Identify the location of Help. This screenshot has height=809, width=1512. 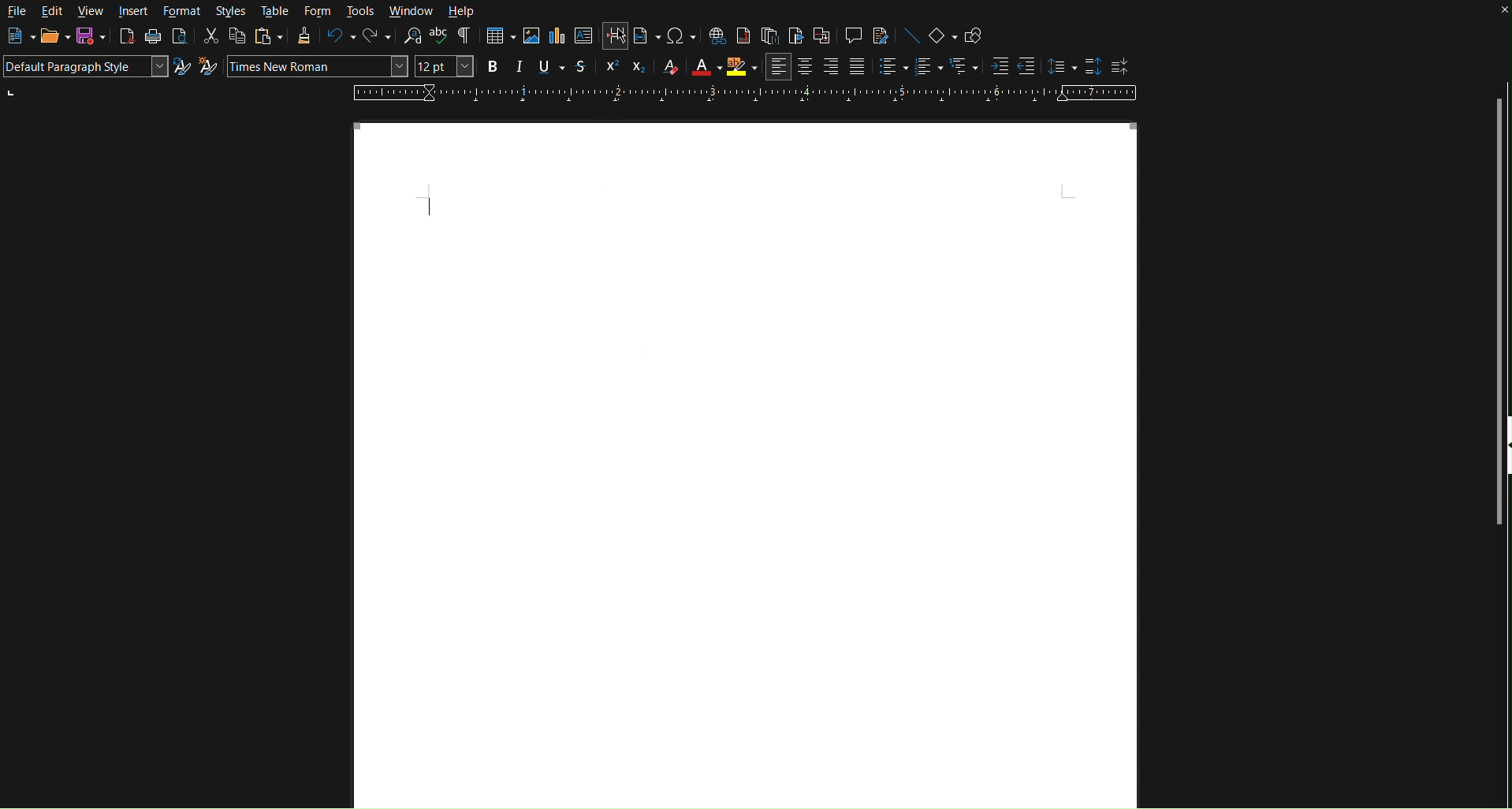
(462, 10).